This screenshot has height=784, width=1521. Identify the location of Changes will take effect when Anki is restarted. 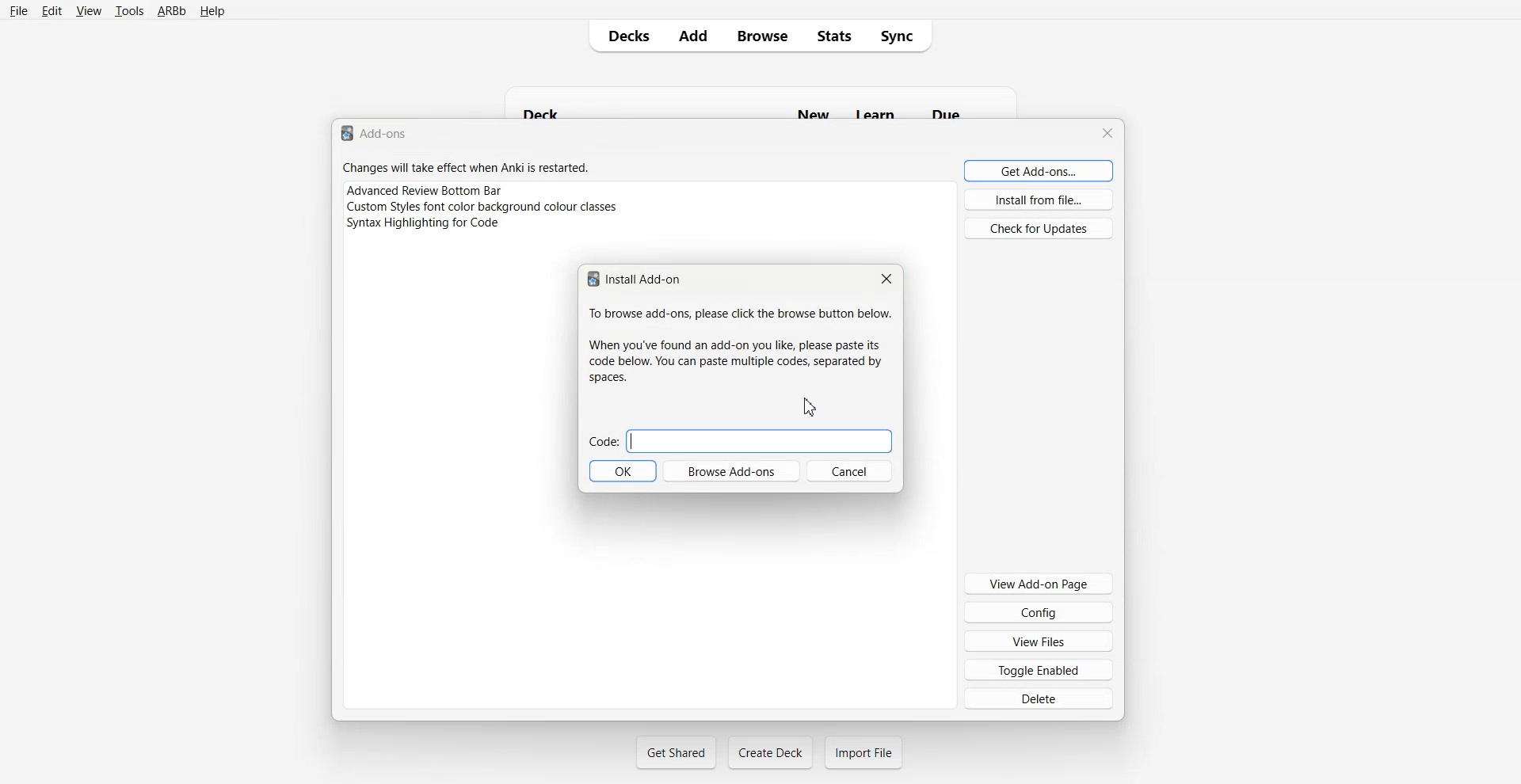
(465, 166).